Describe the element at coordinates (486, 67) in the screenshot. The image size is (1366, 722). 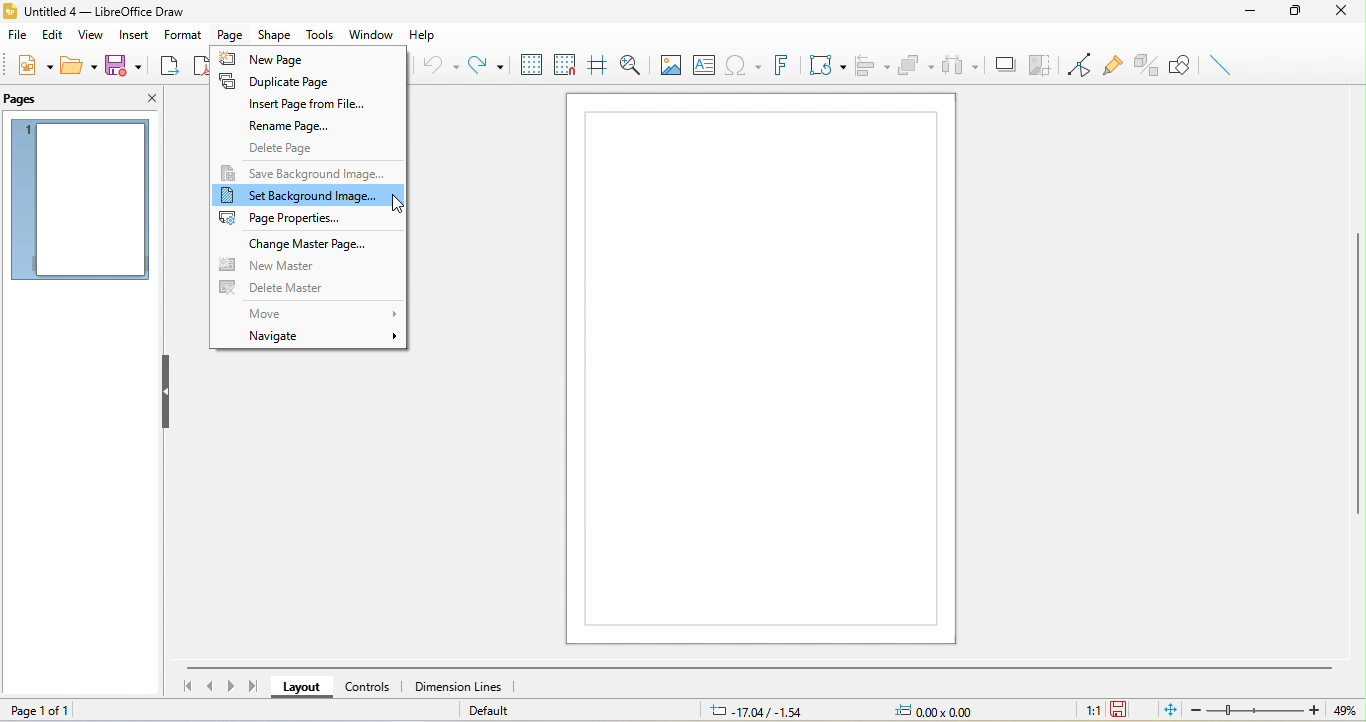
I see `redo` at that location.